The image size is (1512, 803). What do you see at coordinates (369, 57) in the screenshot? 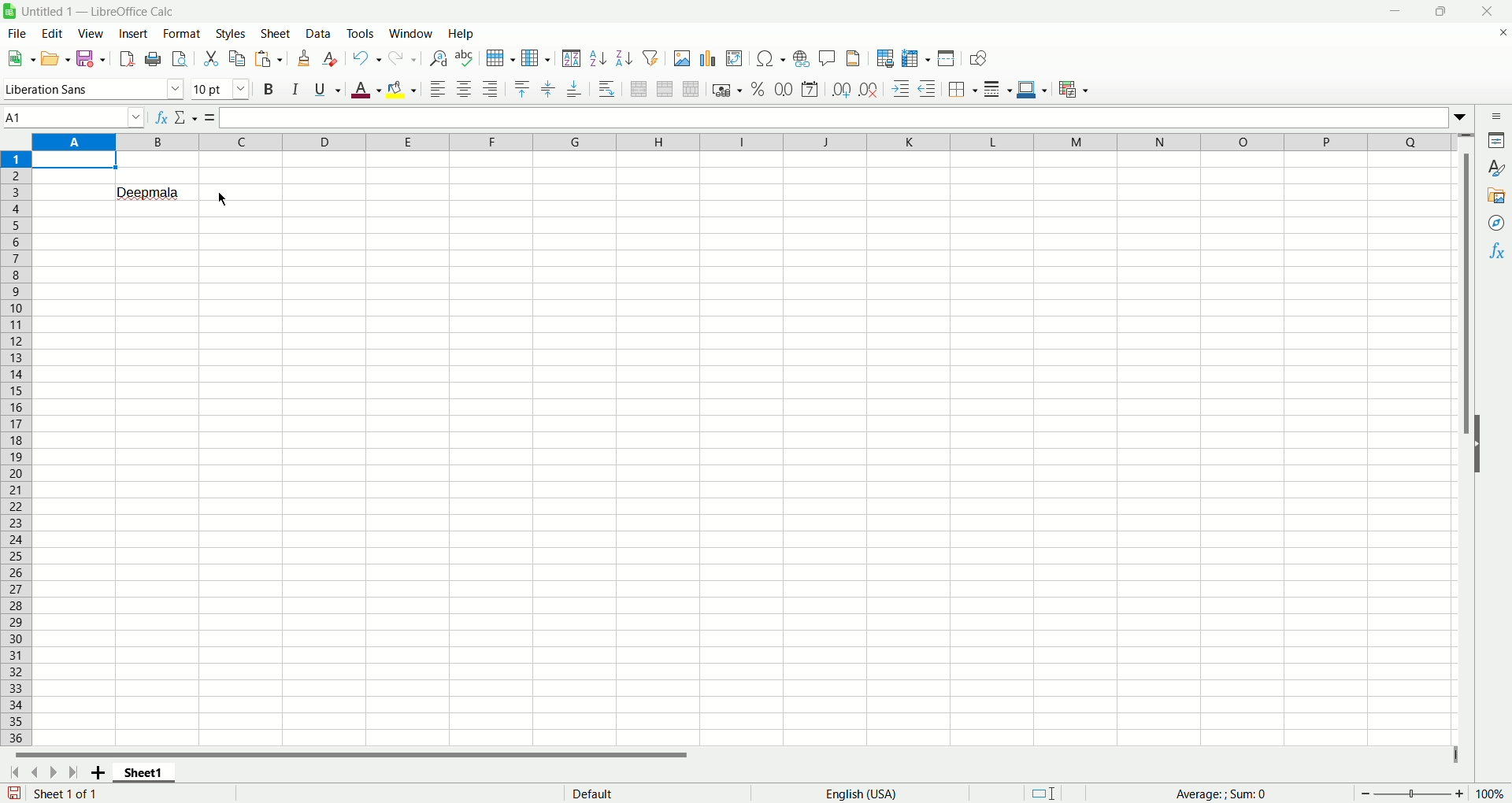
I see `Undo` at bounding box center [369, 57].